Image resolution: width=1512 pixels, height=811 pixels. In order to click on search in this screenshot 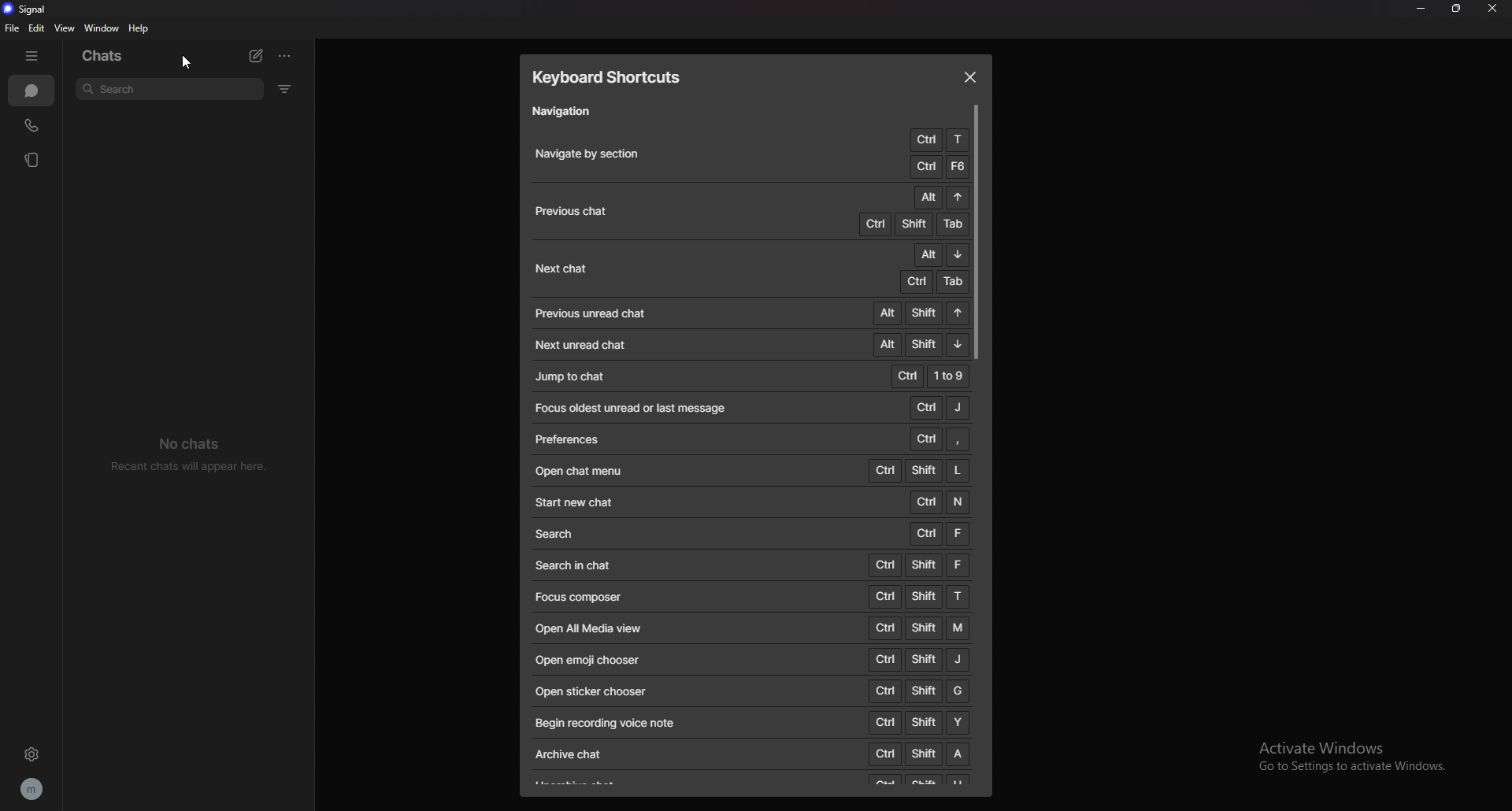, I will do `click(557, 535)`.